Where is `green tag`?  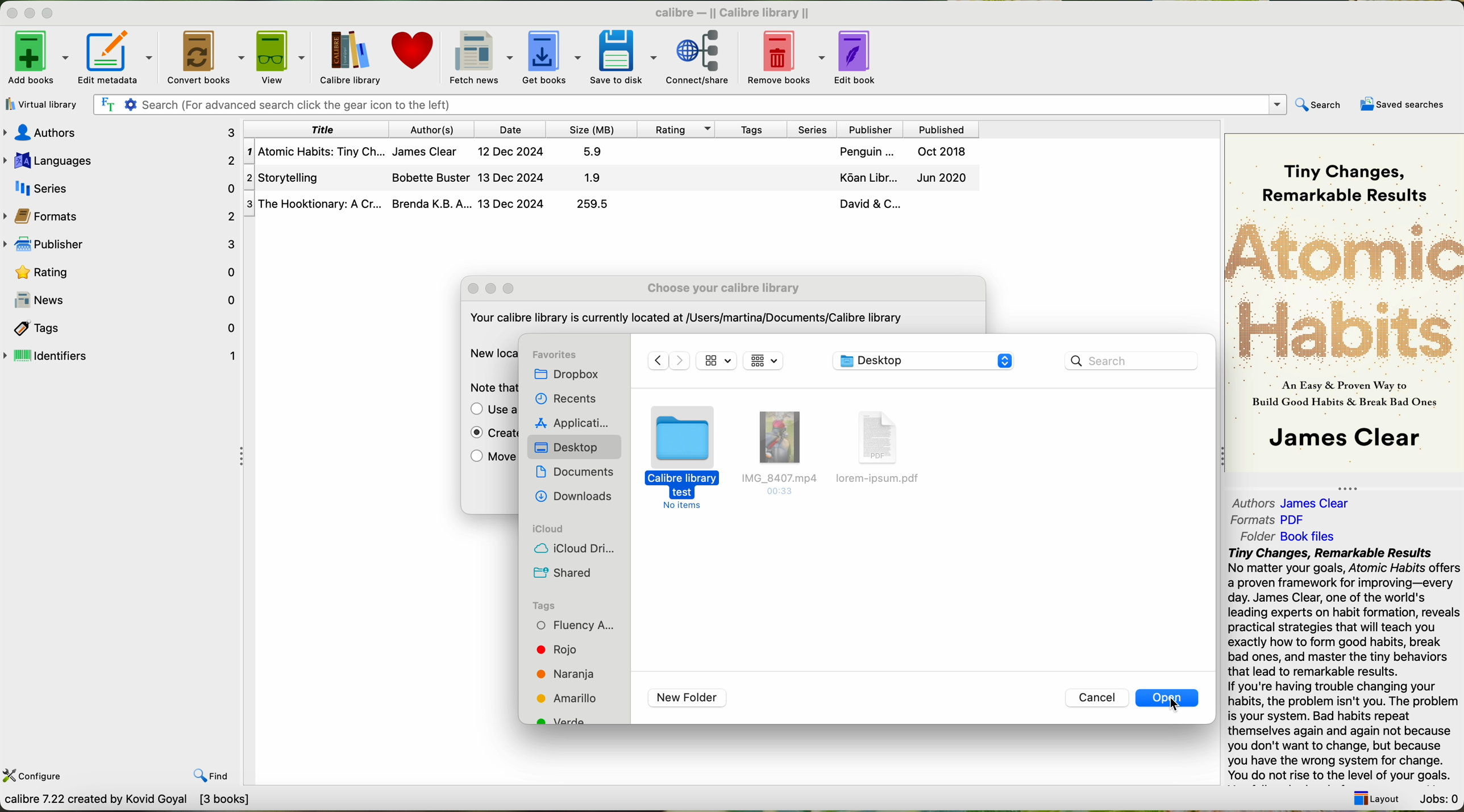 green tag is located at coordinates (566, 720).